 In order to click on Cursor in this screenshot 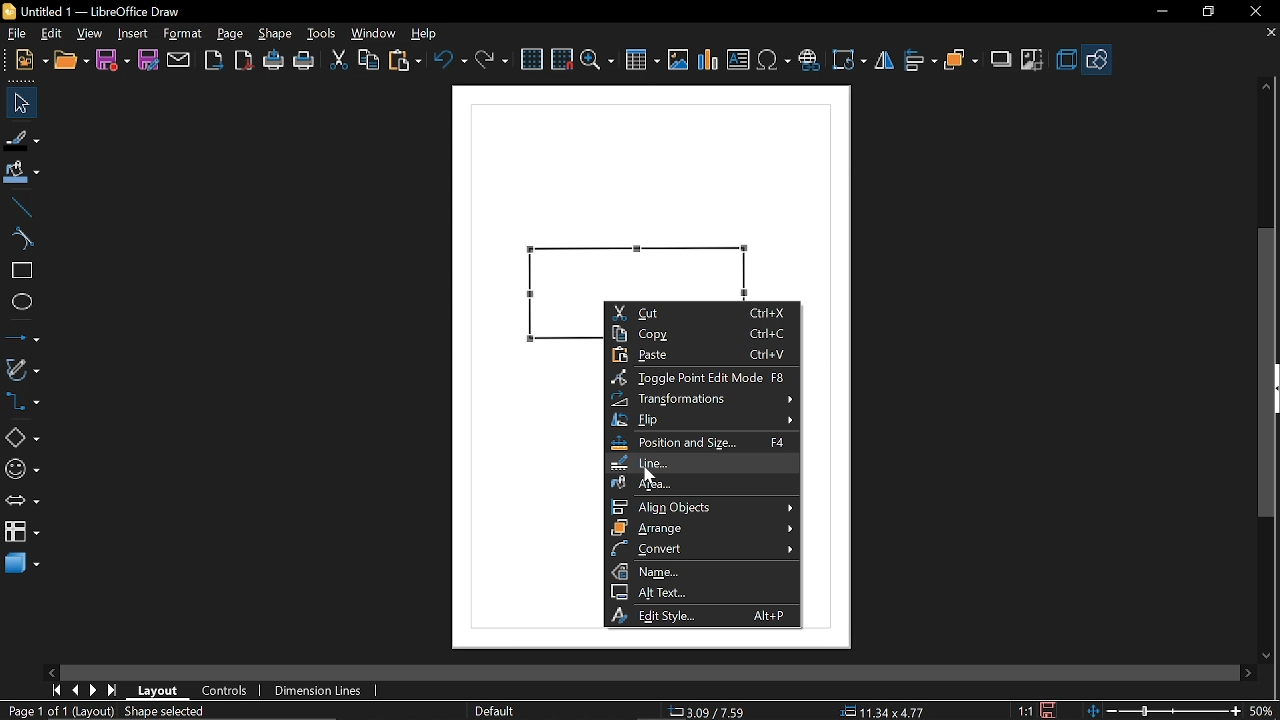, I will do `click(651, 475)`.